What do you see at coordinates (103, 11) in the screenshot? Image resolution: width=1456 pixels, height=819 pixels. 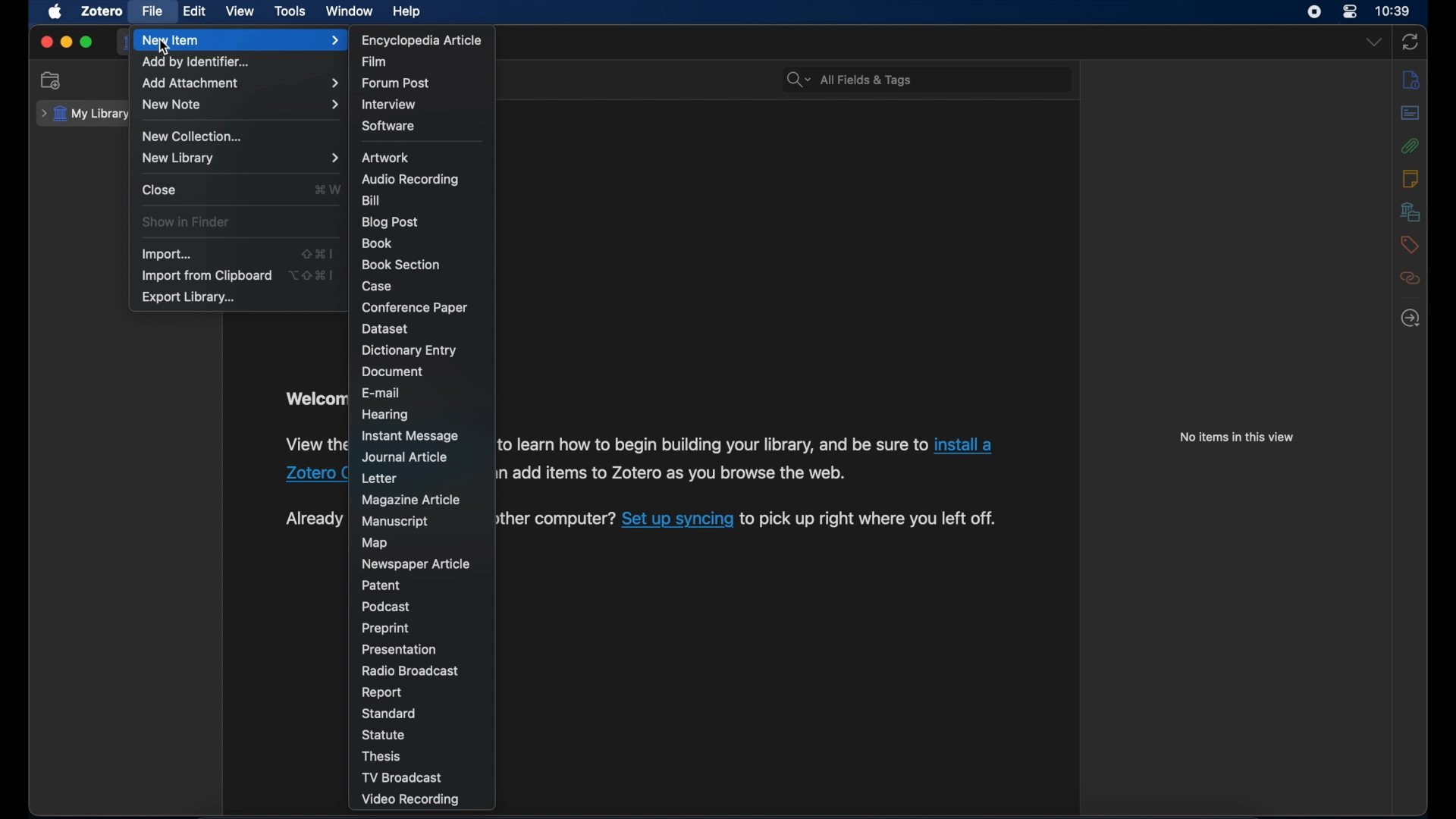 I see `zotero` at bounding box center [103, 11].